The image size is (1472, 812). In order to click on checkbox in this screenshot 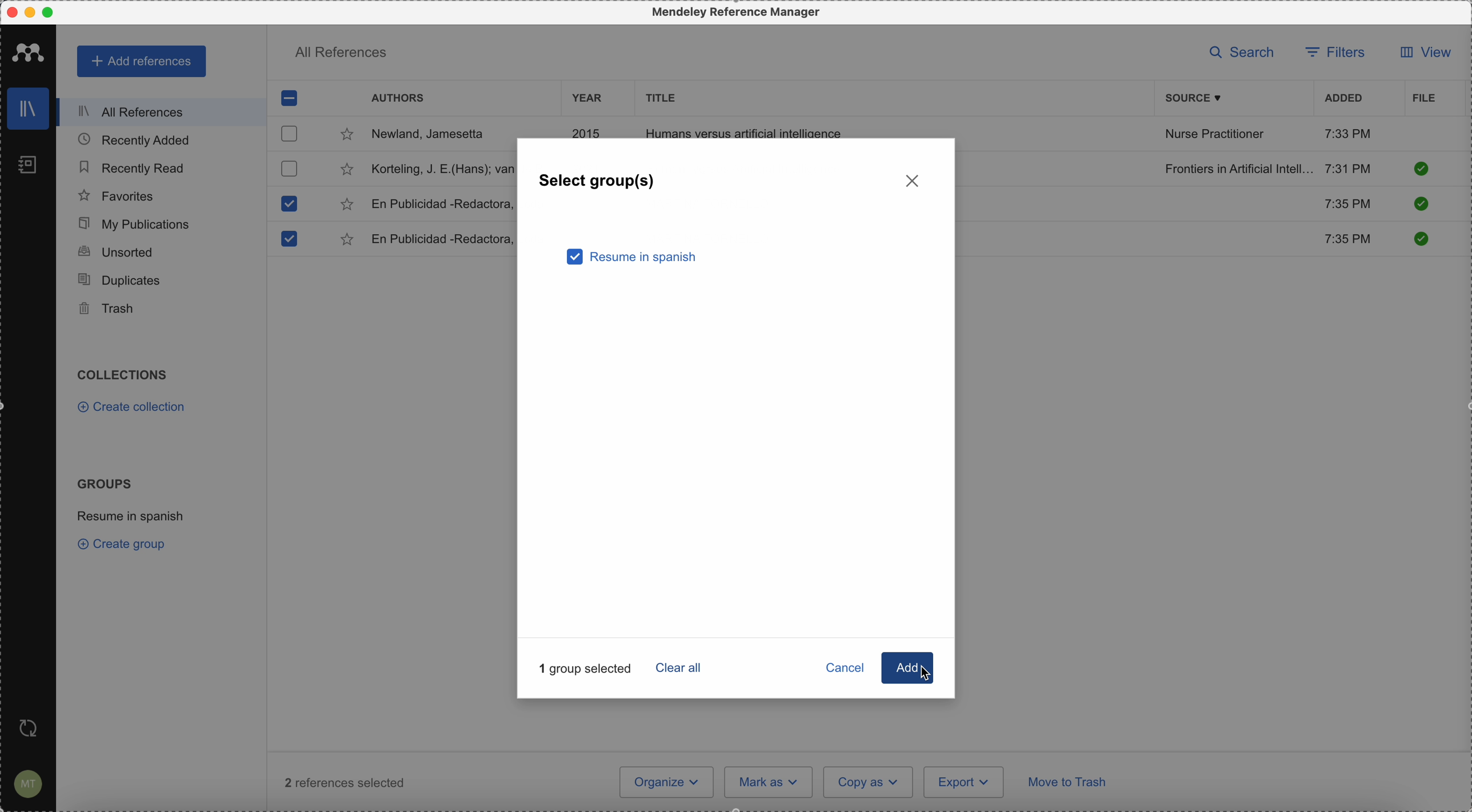, I will do `click(287, 168)`.